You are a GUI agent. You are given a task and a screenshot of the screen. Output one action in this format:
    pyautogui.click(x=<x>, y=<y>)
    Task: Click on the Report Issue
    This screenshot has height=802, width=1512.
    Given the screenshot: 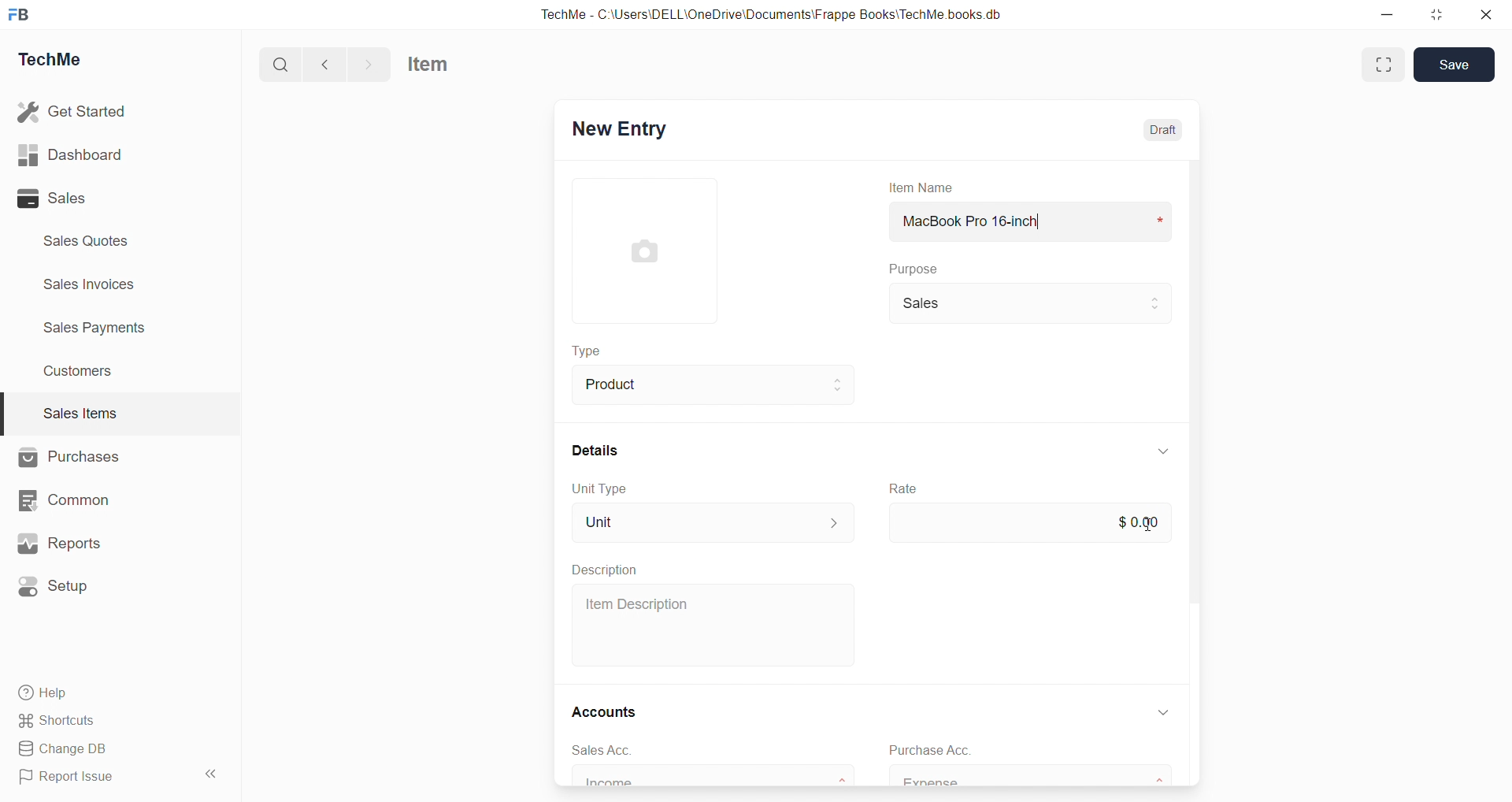 What is the action you would take?
    pyautogui.click(x=70, y=778)
    